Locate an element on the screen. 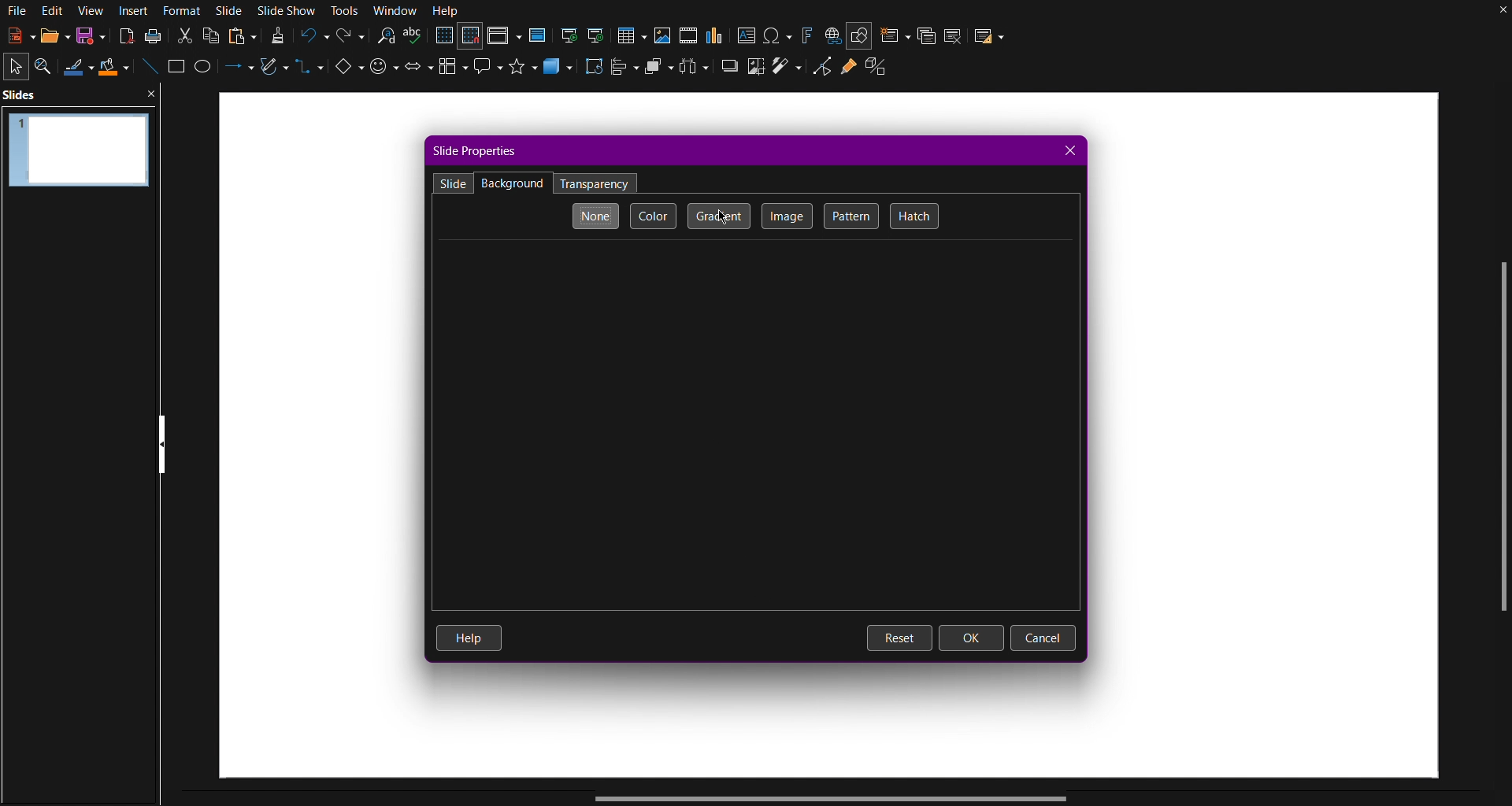  Stars and Banners is located at coordinates (524, 72).